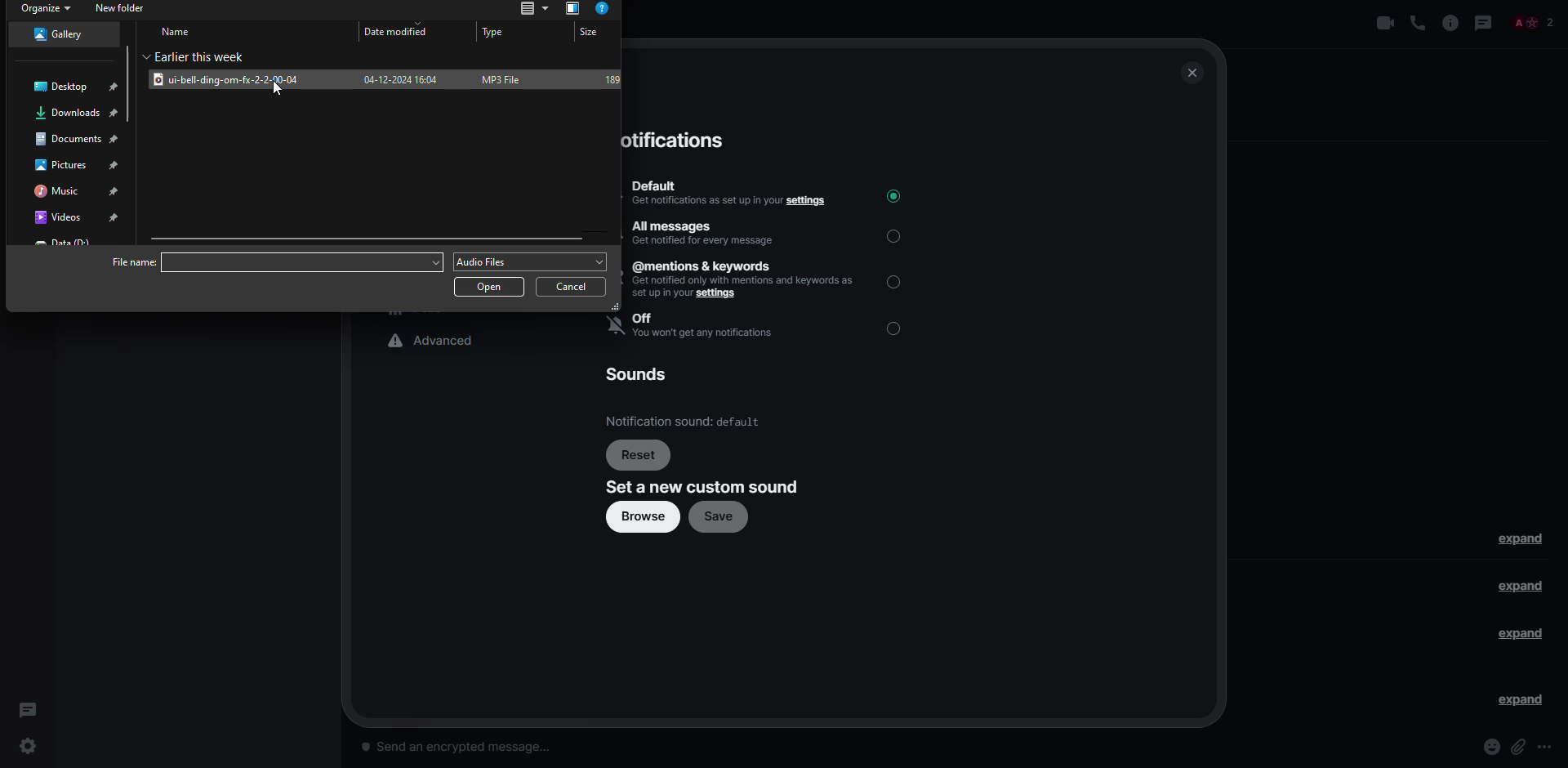  Describe the element at coordinates (1524, 588) in the screenshot. I see `expand` at that location.